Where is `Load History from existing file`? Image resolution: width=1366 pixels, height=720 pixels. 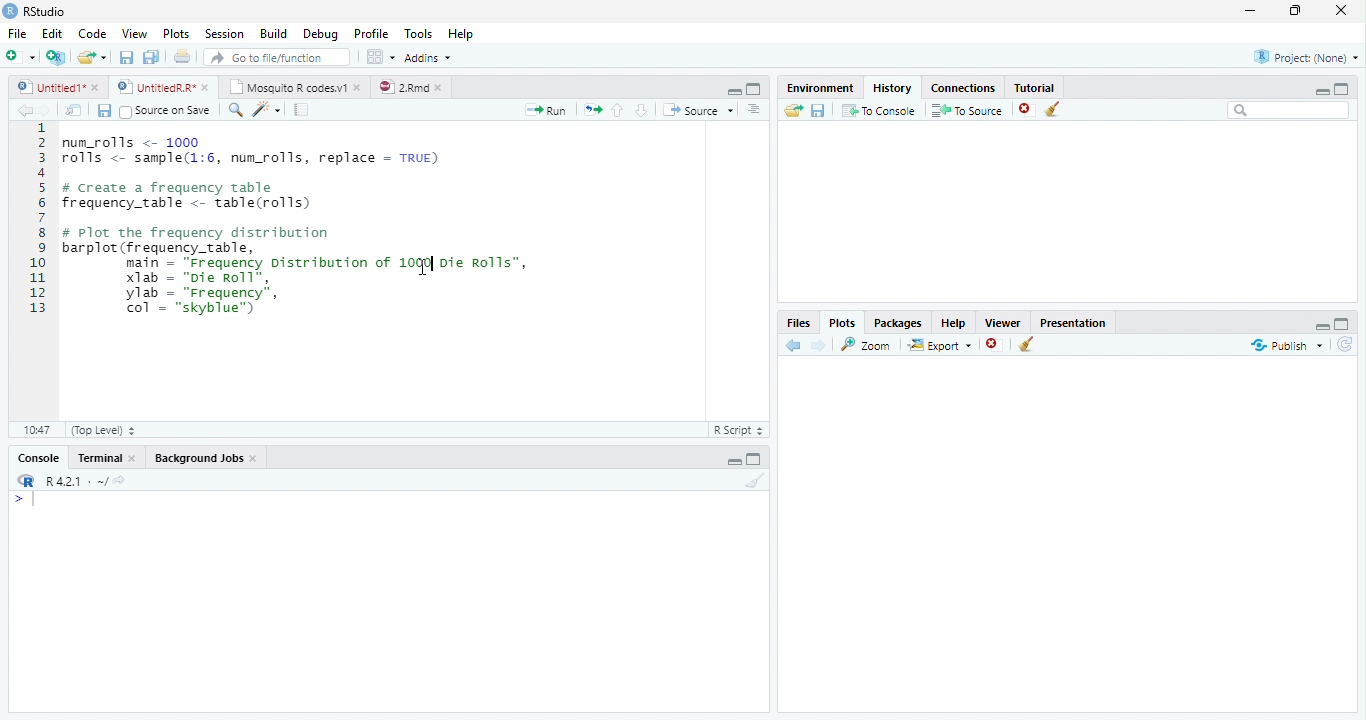
Load History from existing file is located at coordinates (793, 110).